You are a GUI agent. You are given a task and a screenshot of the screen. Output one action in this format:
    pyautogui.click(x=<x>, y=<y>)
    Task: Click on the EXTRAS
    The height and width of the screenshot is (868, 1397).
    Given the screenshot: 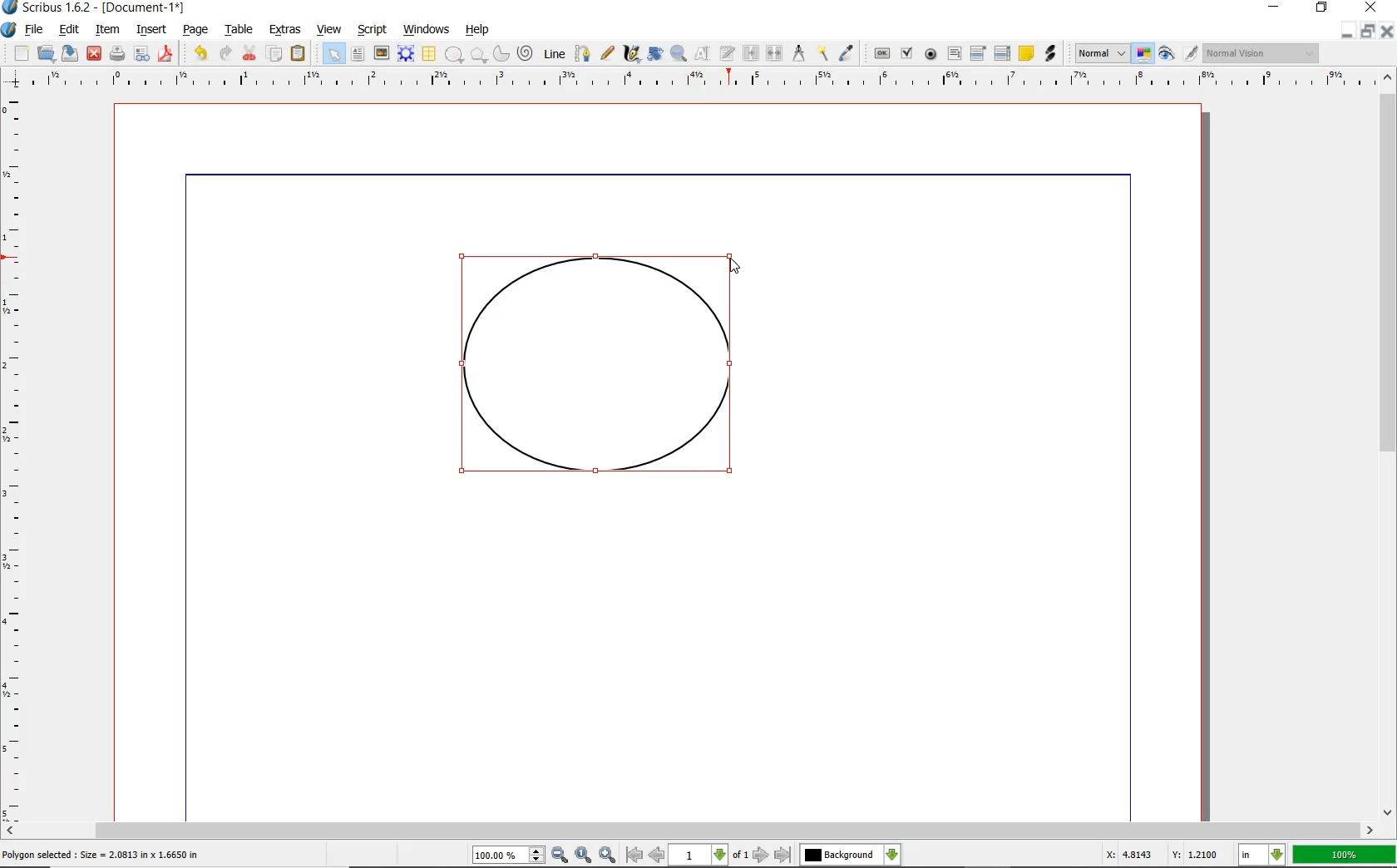 What is the action you would take?
    pyautogui.click(x=285, y=30)
    